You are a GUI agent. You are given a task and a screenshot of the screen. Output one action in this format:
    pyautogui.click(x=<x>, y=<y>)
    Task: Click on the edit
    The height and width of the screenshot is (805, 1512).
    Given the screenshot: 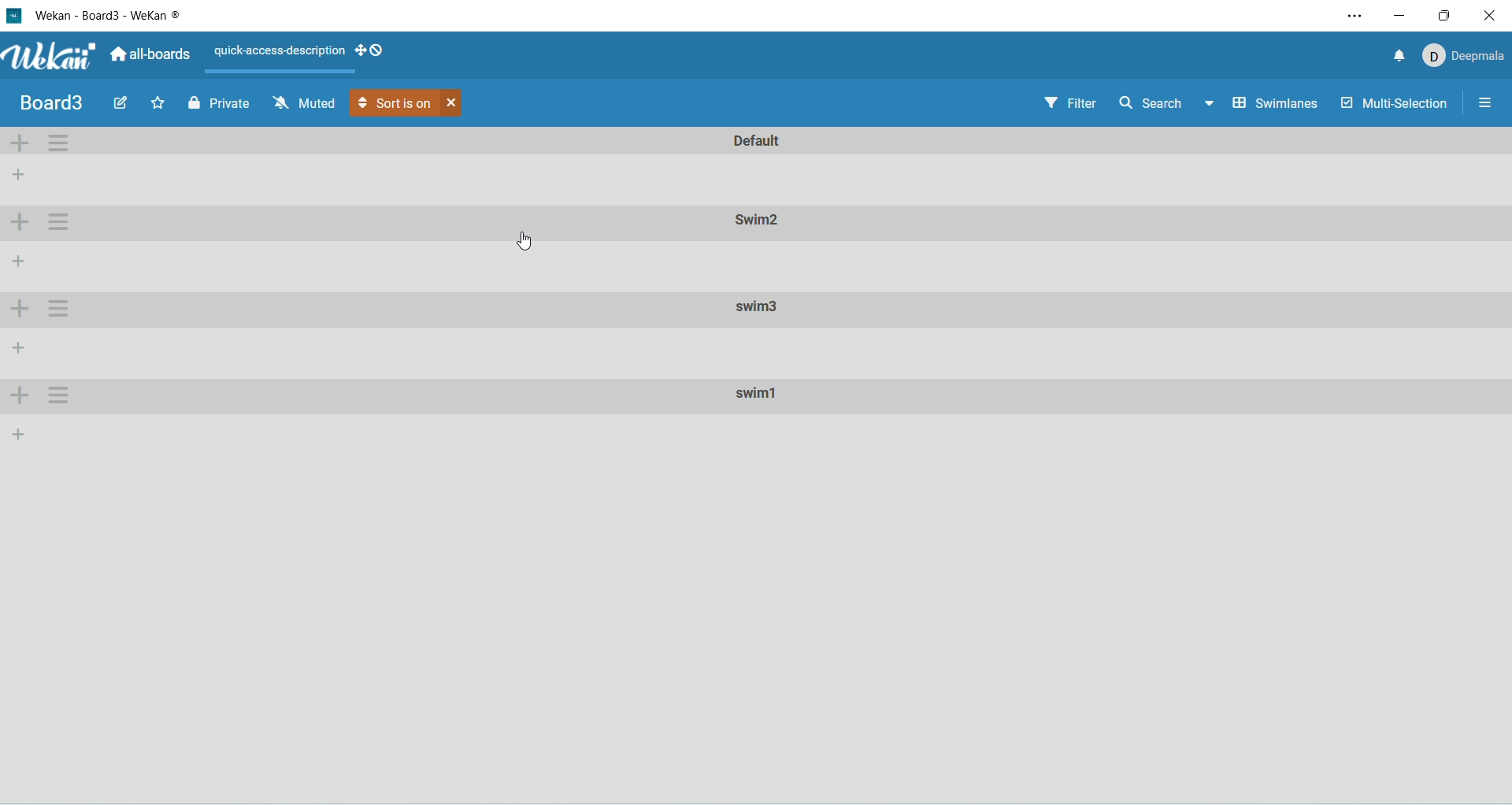 What is the action you would take?
    pyautogui.click(x=121, y=101)
    